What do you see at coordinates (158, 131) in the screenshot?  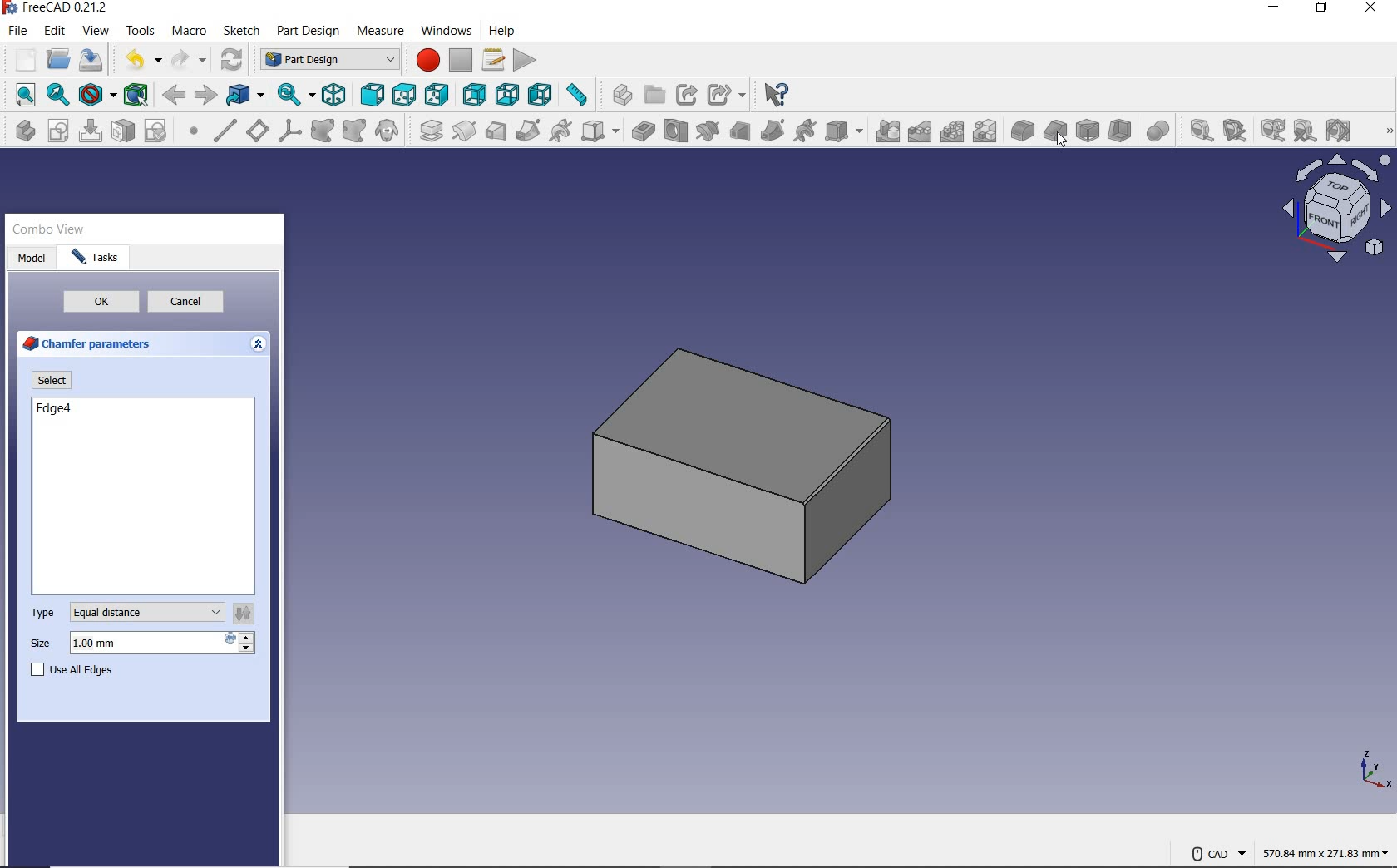 I see `validate sketch` at bounding box center [158, 131].